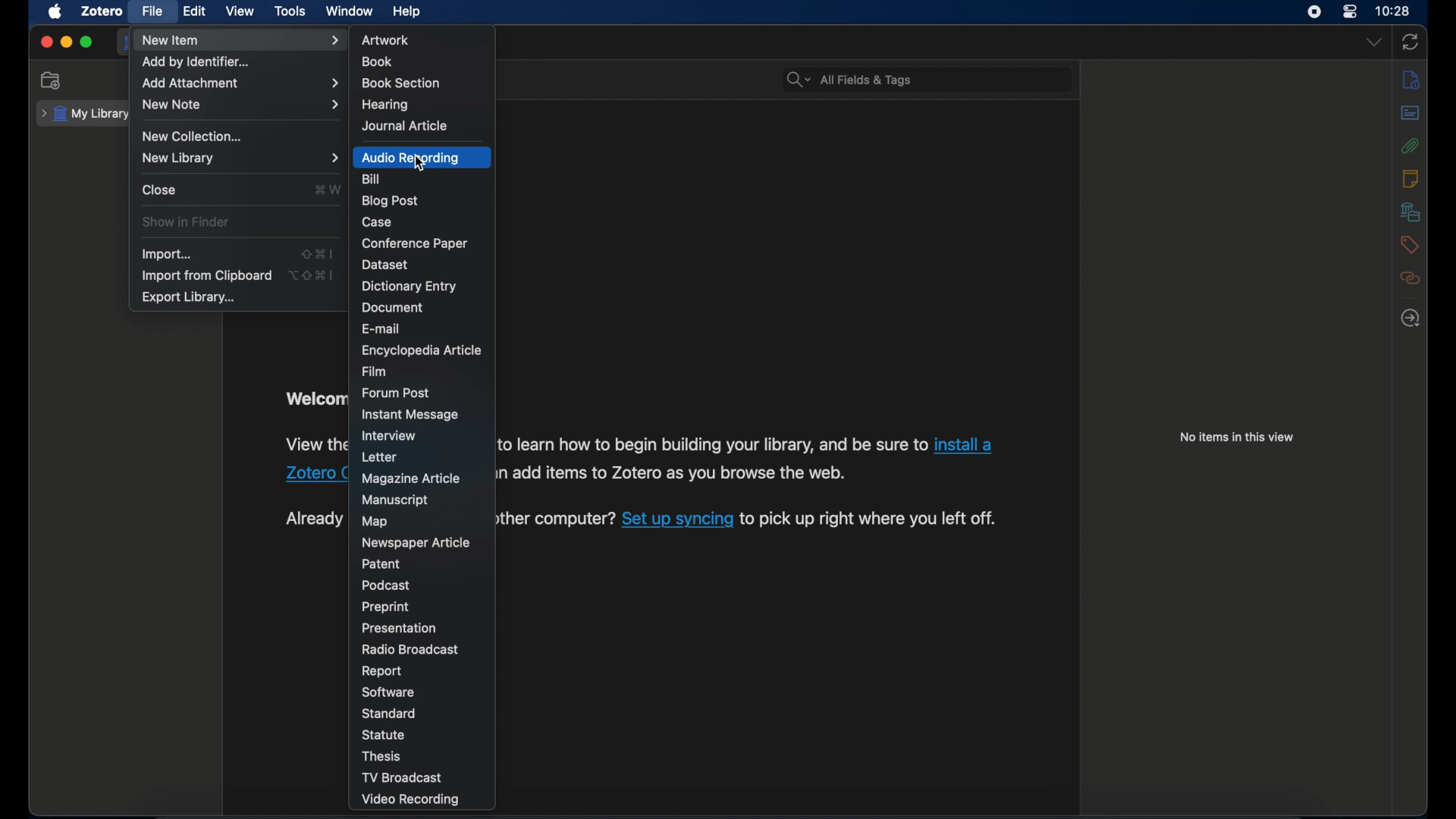 The image size is (1456, 819). Describe the element at coordinates (385, 755) in the screenshot. I see `thesis` at that location.